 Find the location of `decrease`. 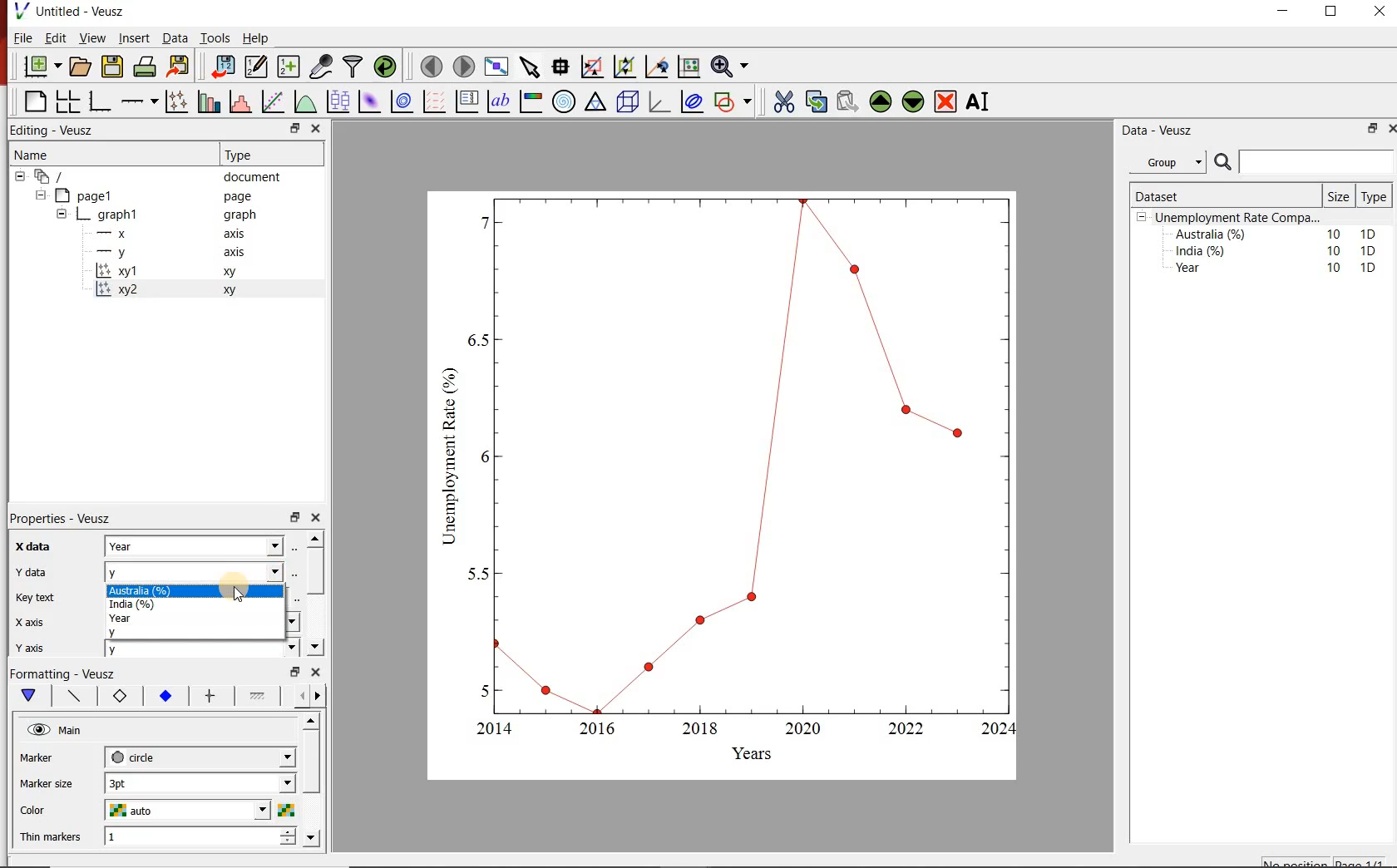

decrease is located at coordinates (288, 845).